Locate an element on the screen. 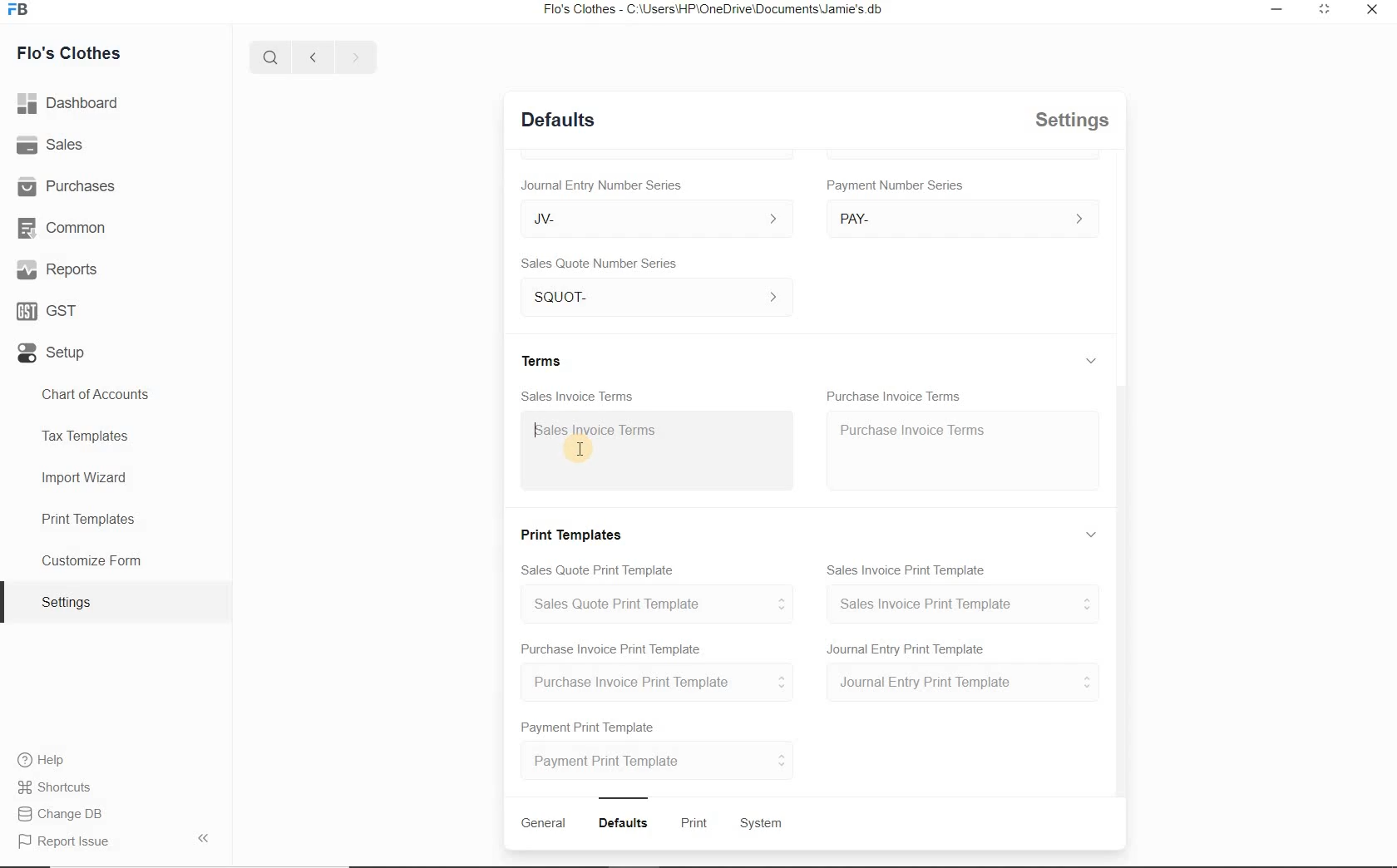 Image resolution: width=1397 pixels, height=868 pixels. Expand is located at coordinates (1094, 534).